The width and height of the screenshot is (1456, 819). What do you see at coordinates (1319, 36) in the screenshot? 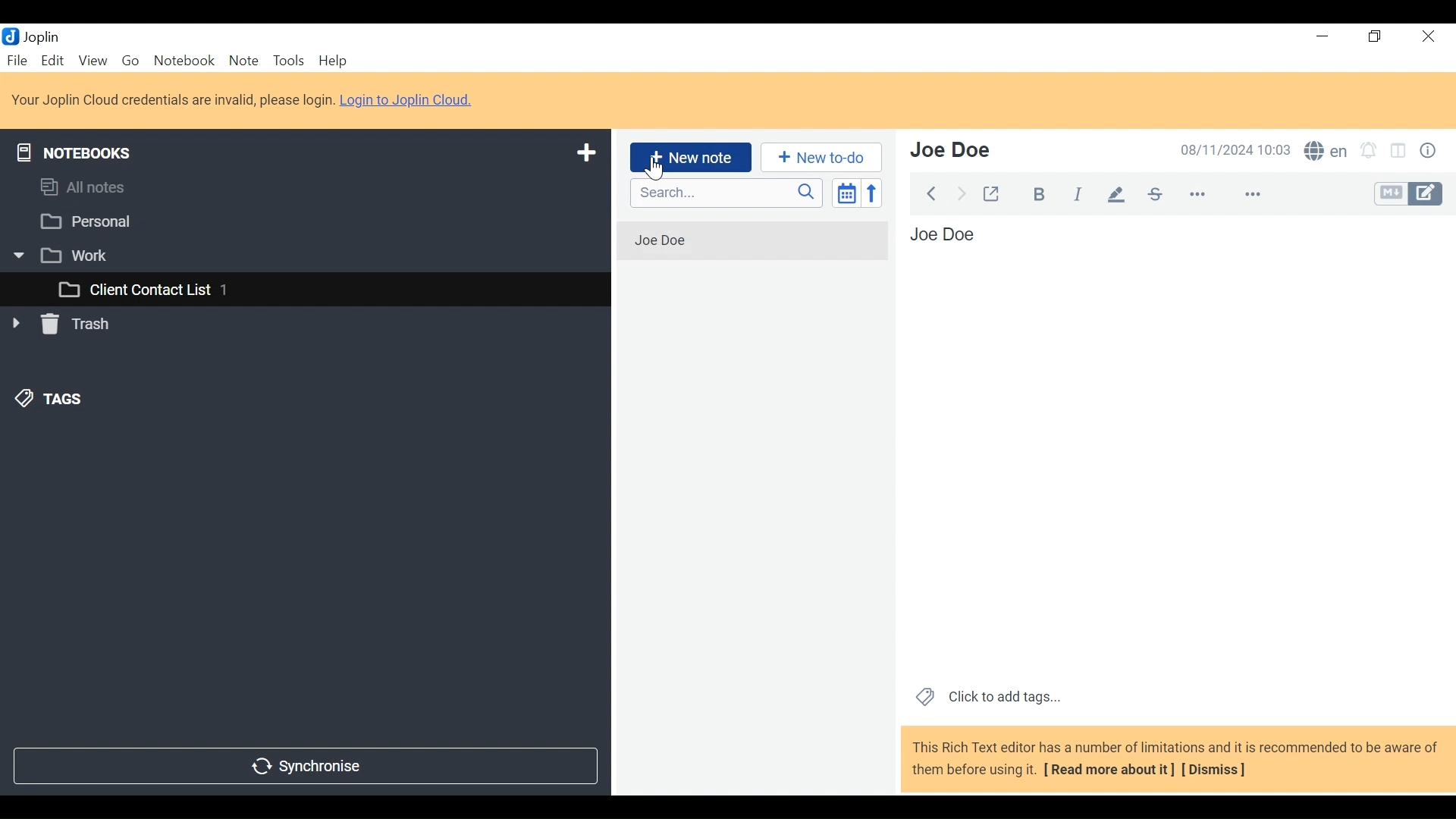
I see `minimize` at bounding box center [1319, 36].